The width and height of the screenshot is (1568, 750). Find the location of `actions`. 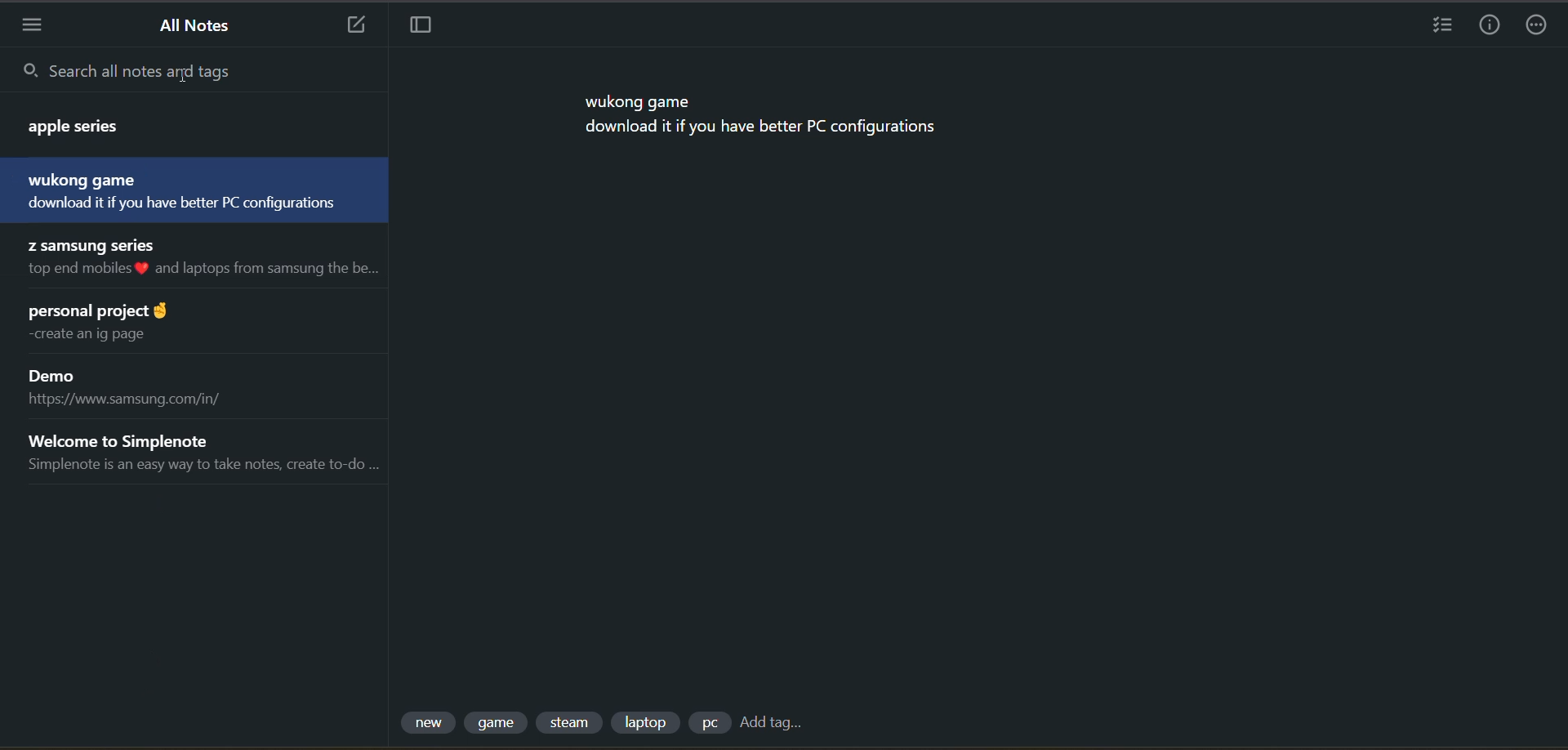

actions is located at coordinates (1539, 26).